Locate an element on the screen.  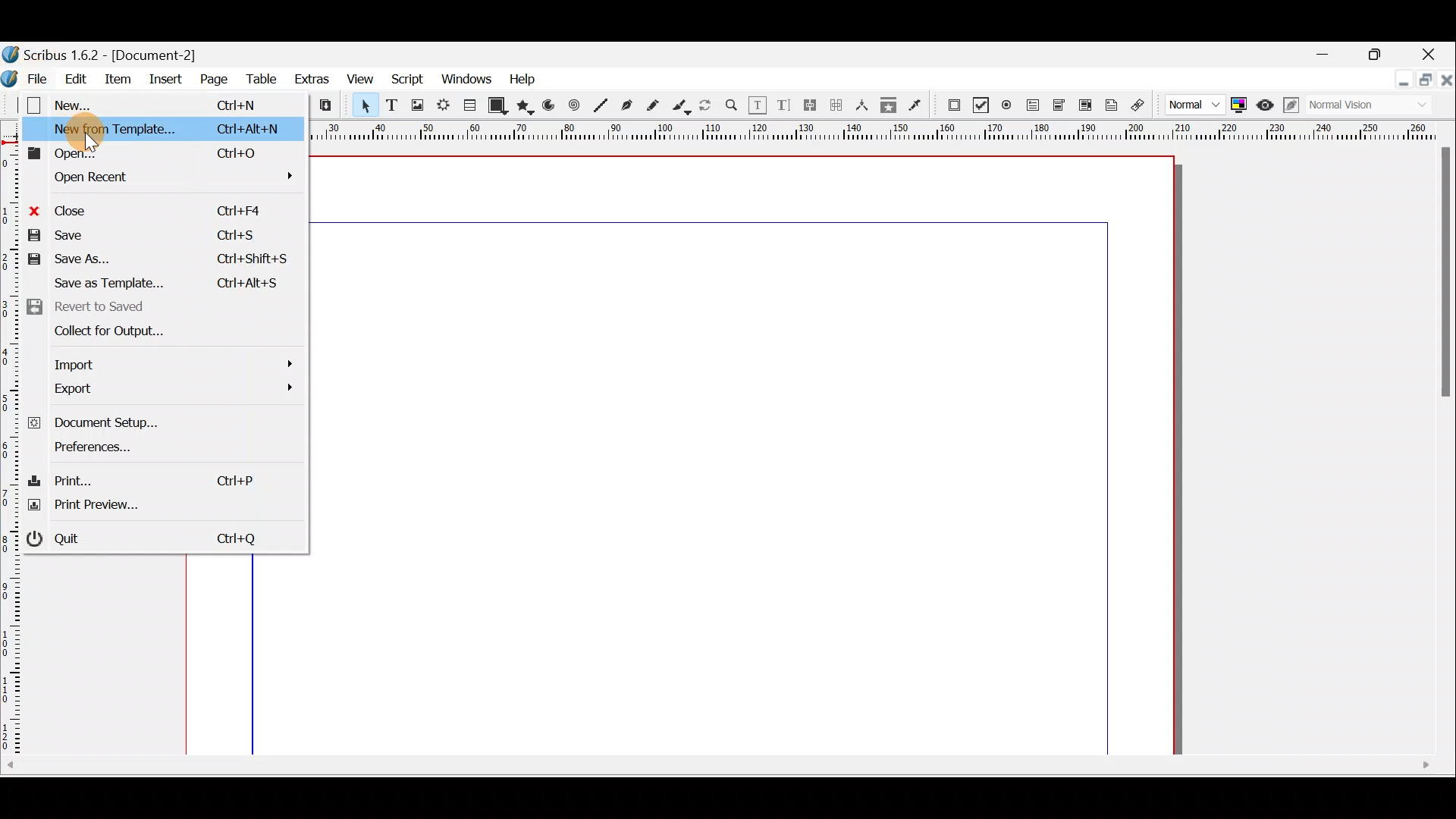
PDF text field is located at coordinates (1034, 107).